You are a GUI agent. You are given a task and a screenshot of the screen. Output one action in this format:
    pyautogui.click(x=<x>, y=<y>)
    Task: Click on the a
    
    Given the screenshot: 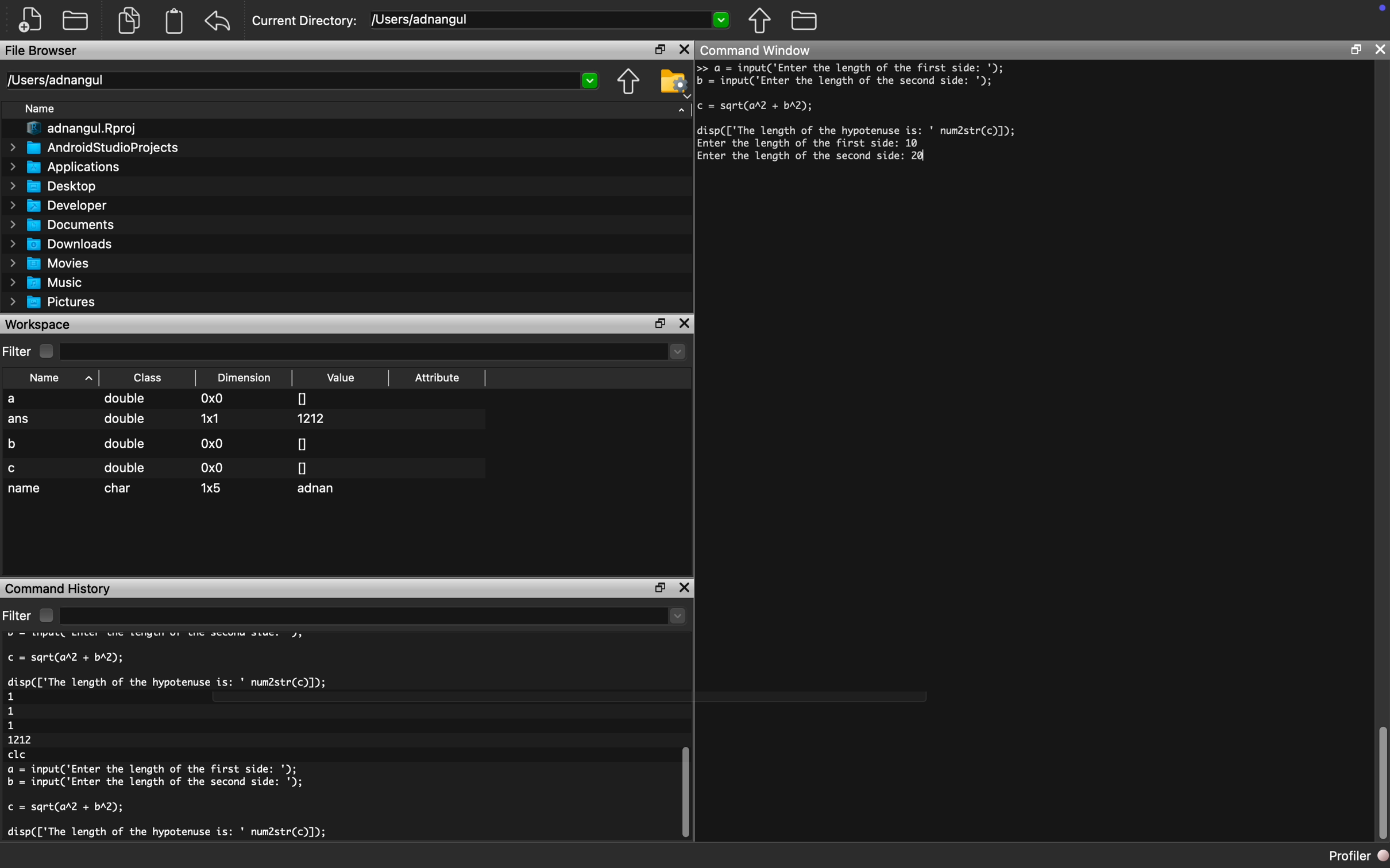 What is the action you would take?
    pyautogui.click(x=21, y=400)
    